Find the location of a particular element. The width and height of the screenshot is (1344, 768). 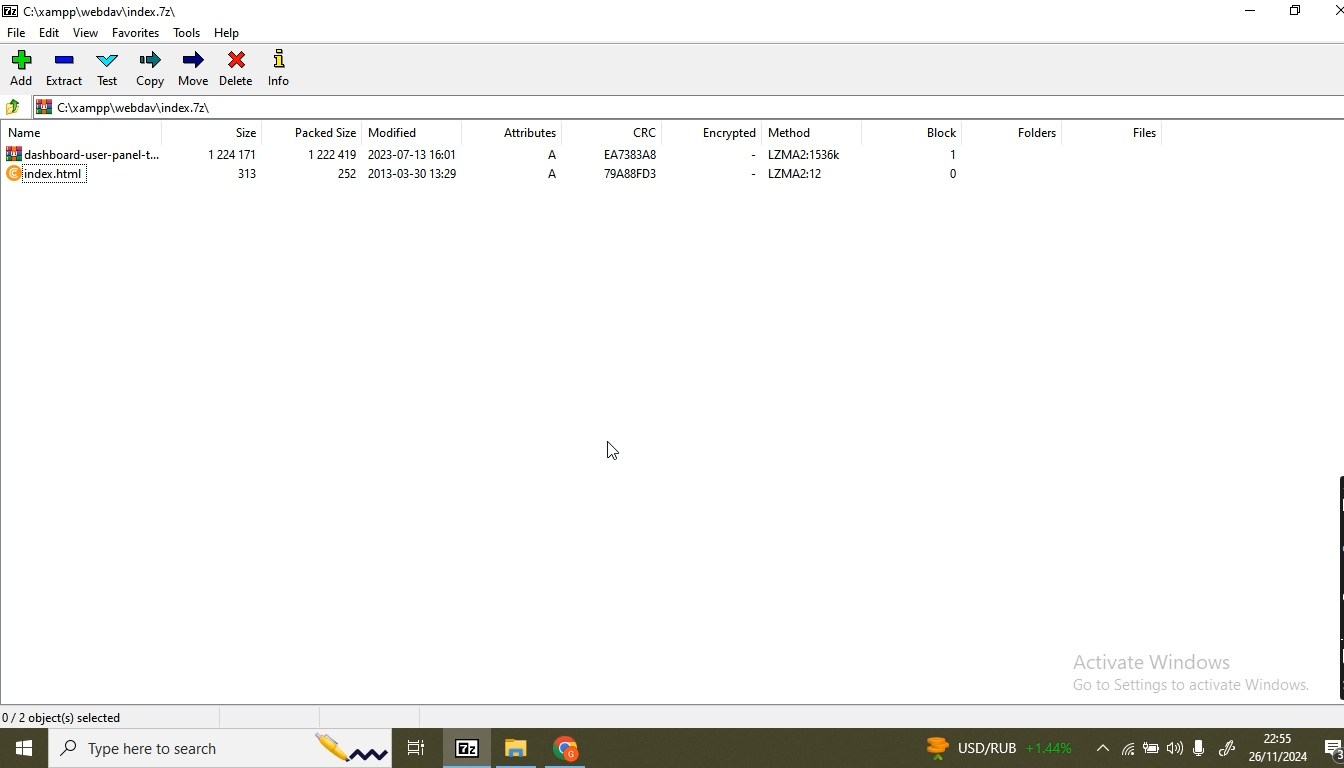

size is located at coordinates (240, 132).